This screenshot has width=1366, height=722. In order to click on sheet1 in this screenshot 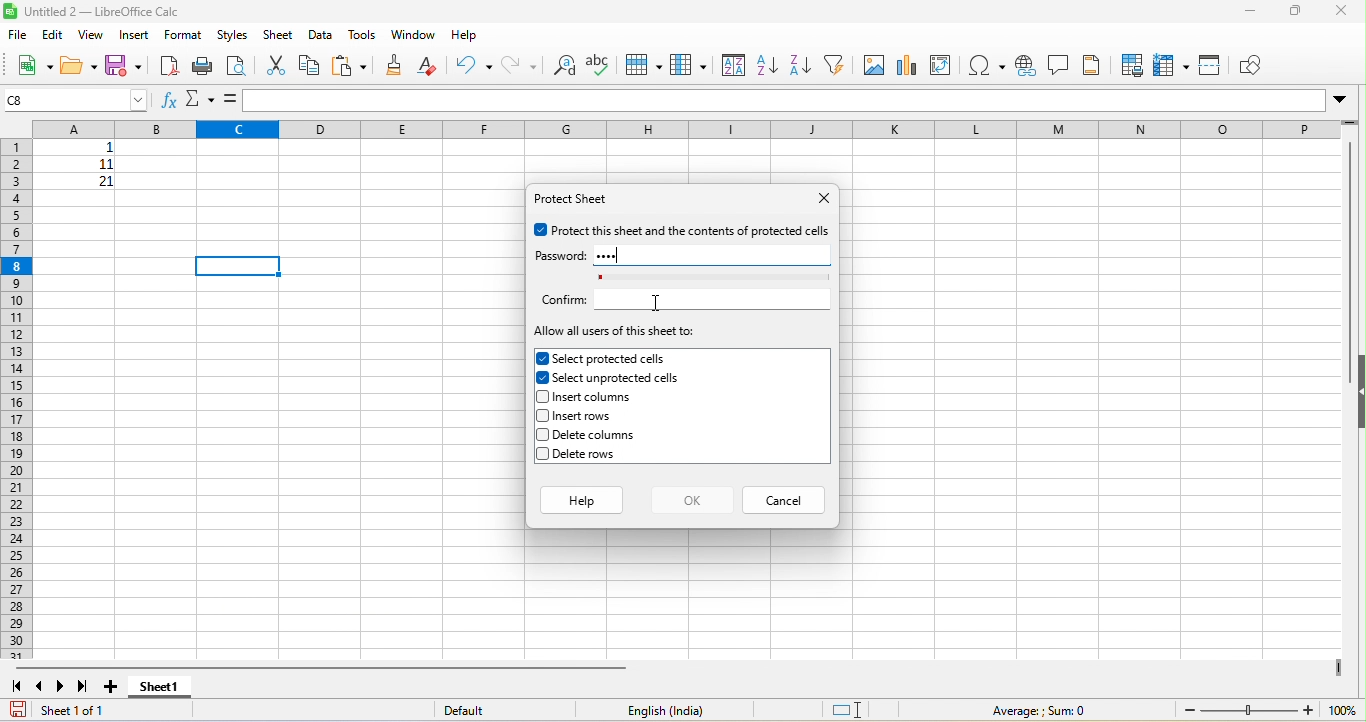, I will do `click(180, 687)`.